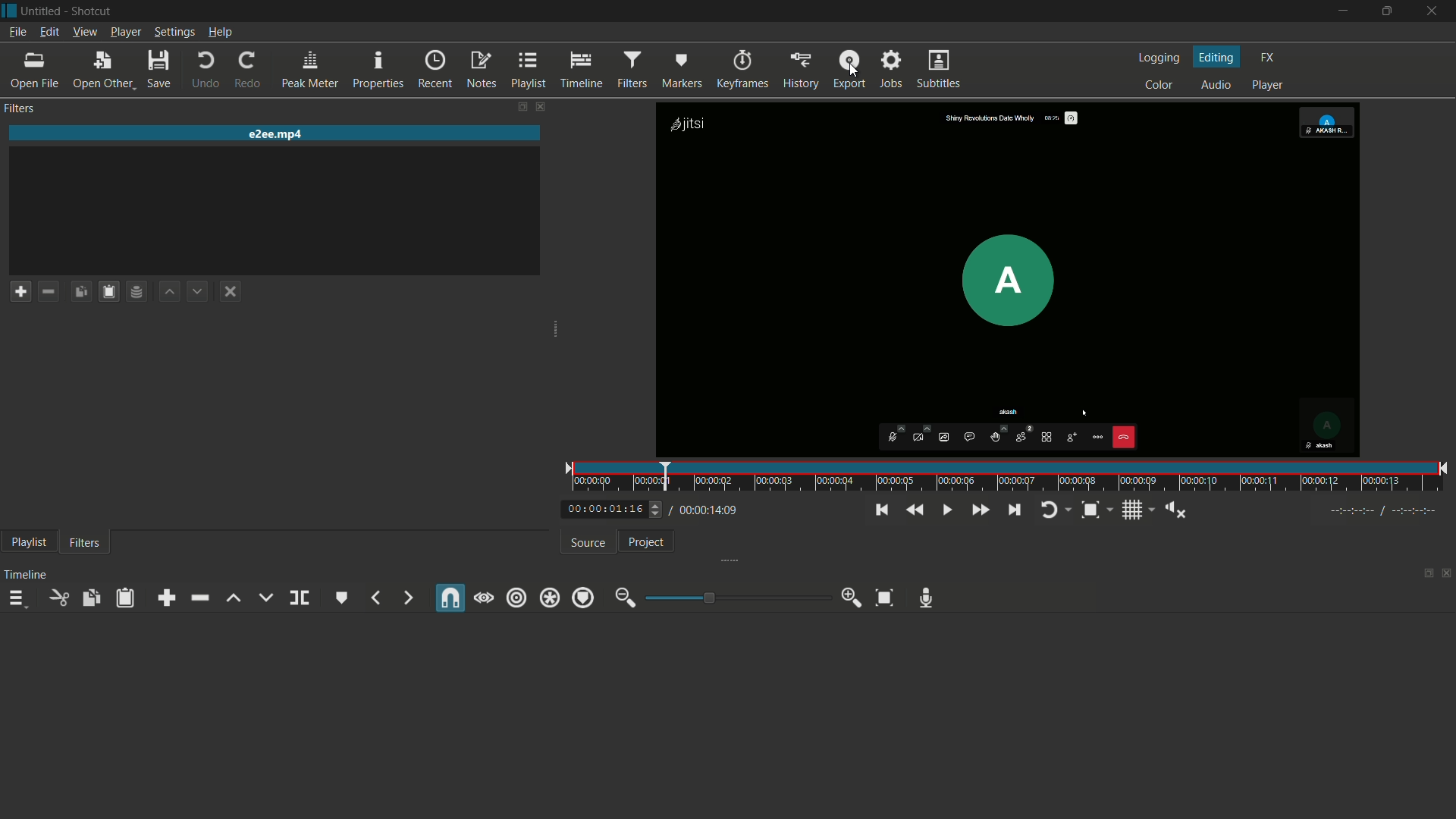  What do you see at coordinates (309, 71) in the screenshot?
I see `peak meter` at bounding box center [309, 71].